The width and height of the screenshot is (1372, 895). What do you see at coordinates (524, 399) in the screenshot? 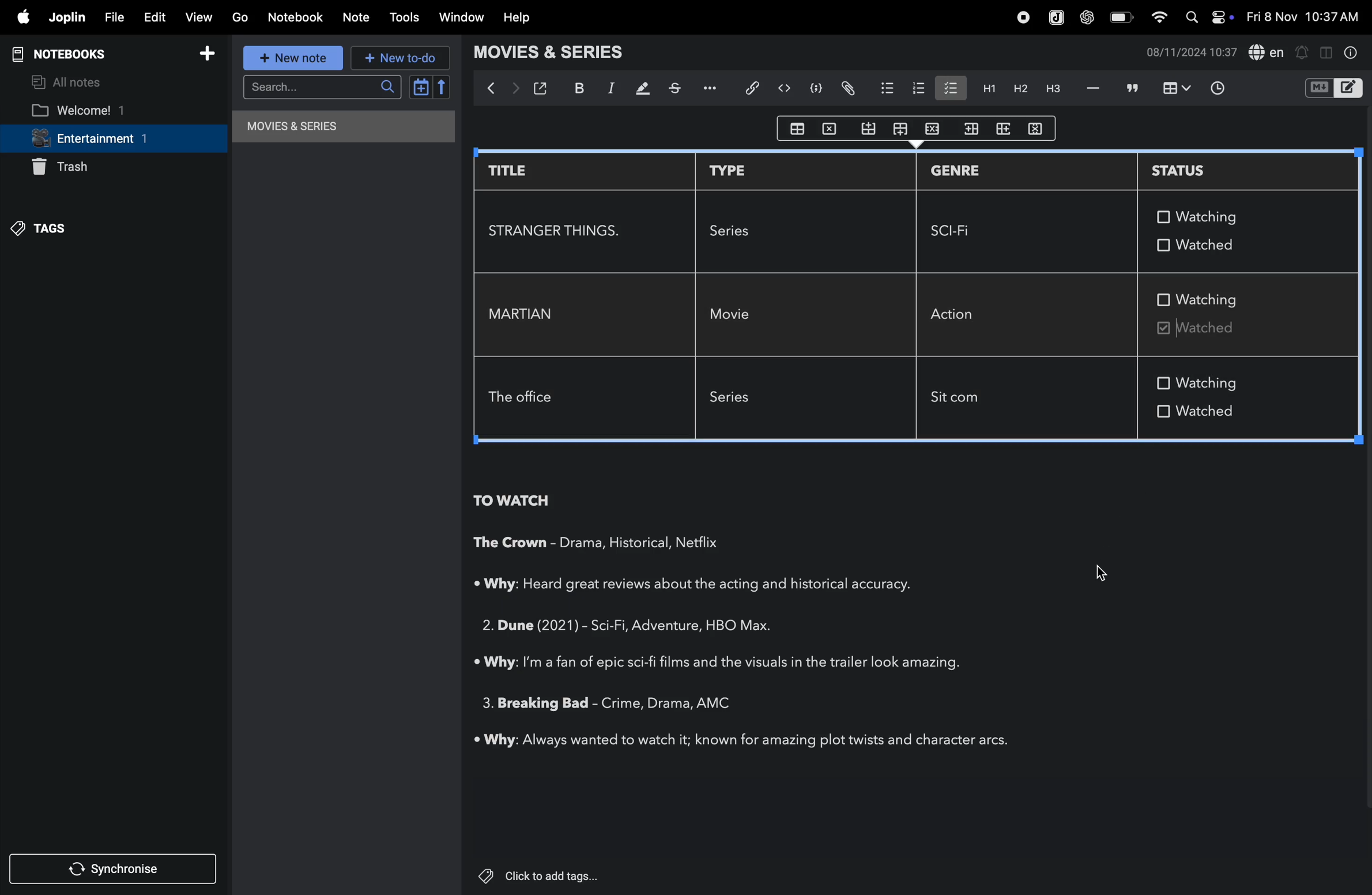
I see `the office` at bounding box center [524, 399].